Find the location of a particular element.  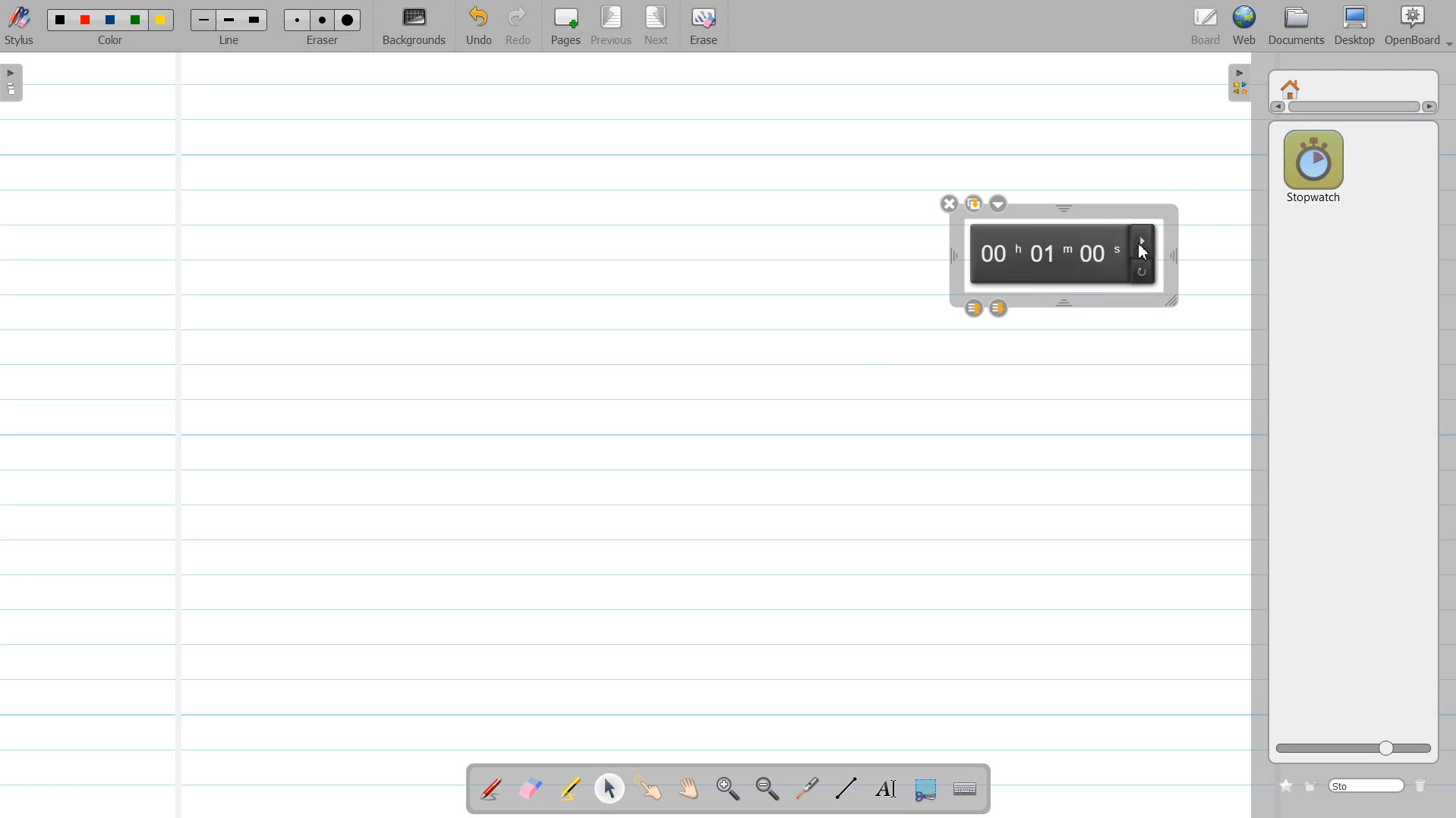

Cursor is located at coordinates (1142, 251).